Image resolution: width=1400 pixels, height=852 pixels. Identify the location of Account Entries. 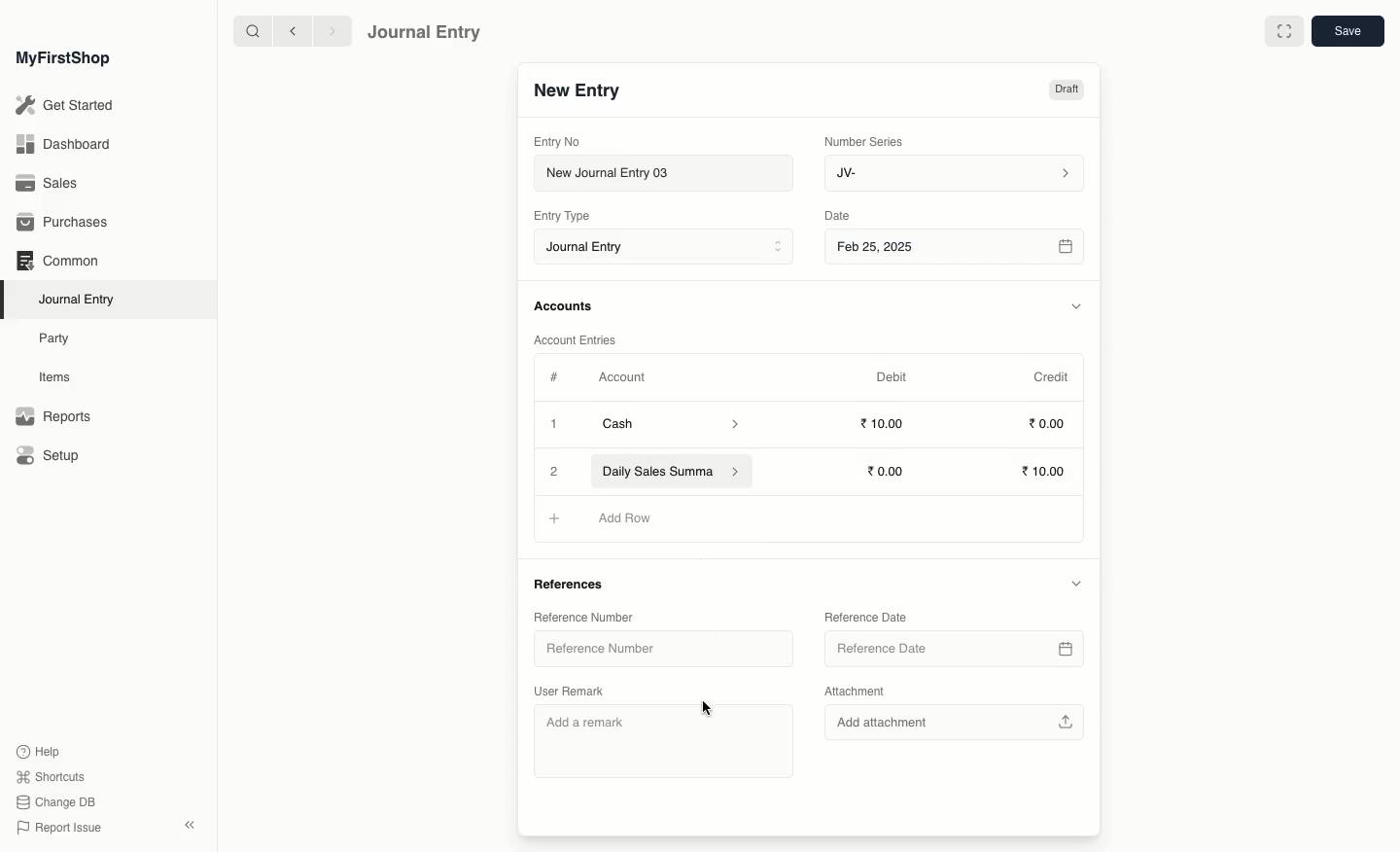
(582, 340).